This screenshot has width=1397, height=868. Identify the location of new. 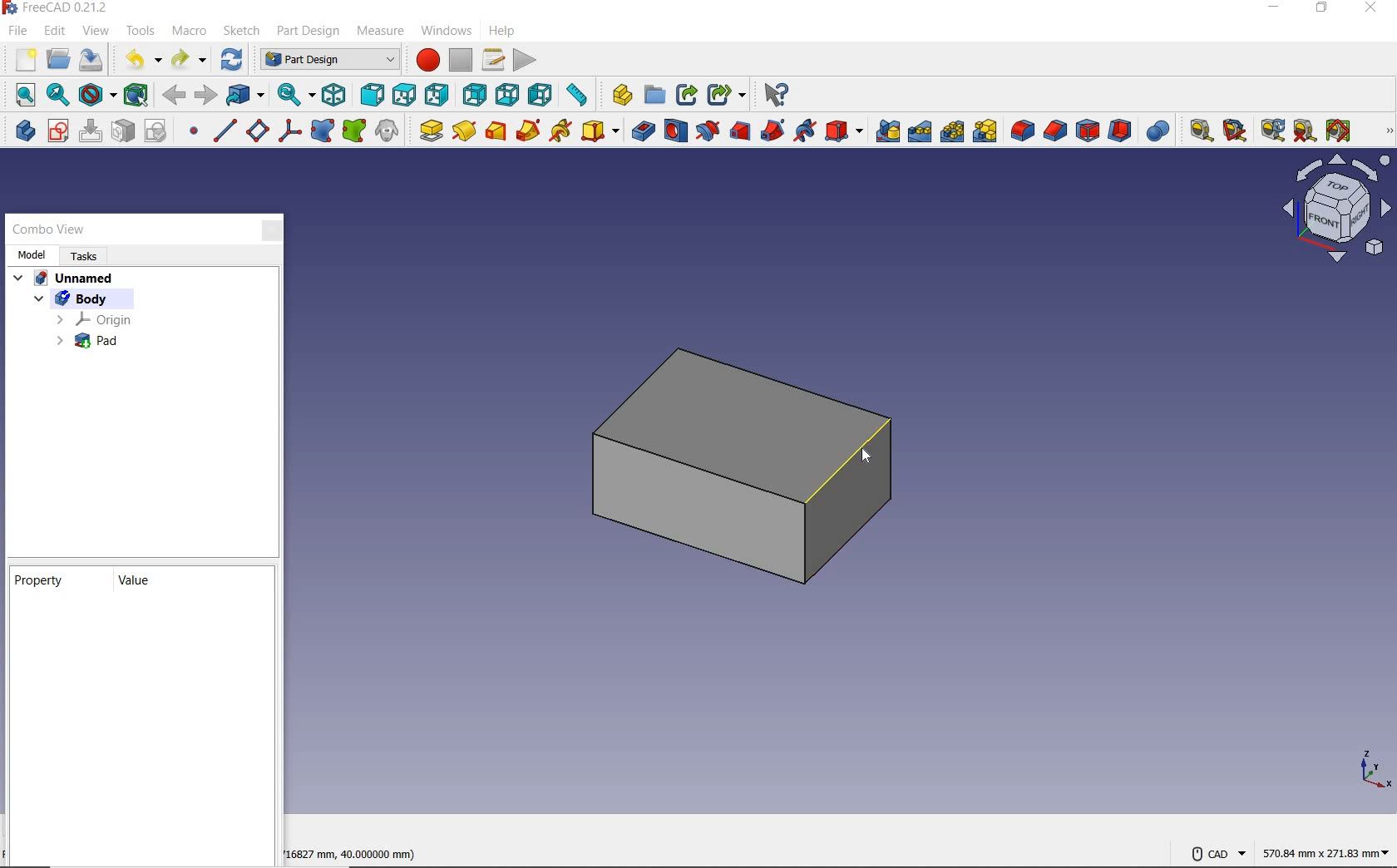
(21, 59).